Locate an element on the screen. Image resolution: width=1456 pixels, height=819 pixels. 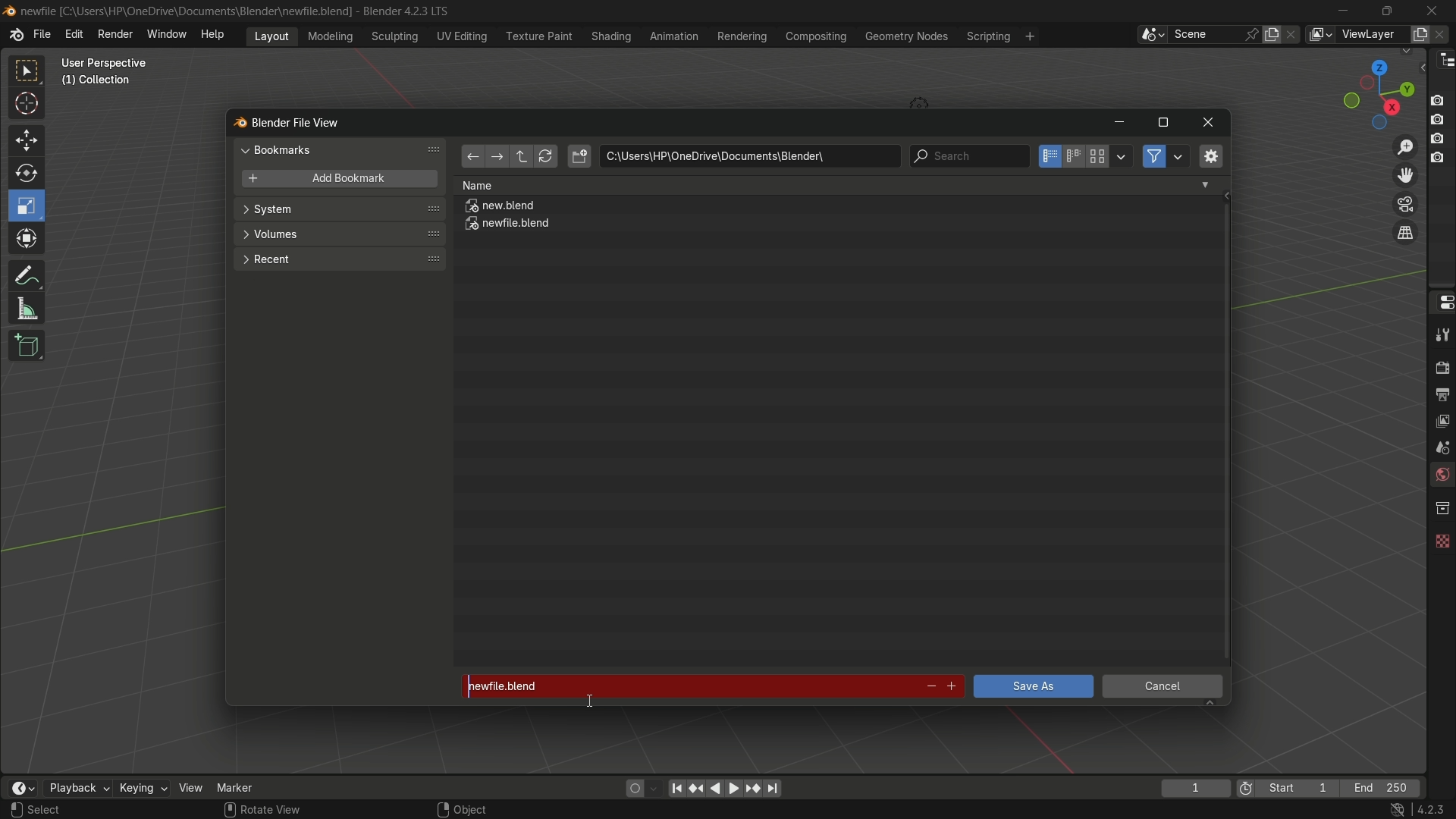
volumes is located at coordinates (338, 234).